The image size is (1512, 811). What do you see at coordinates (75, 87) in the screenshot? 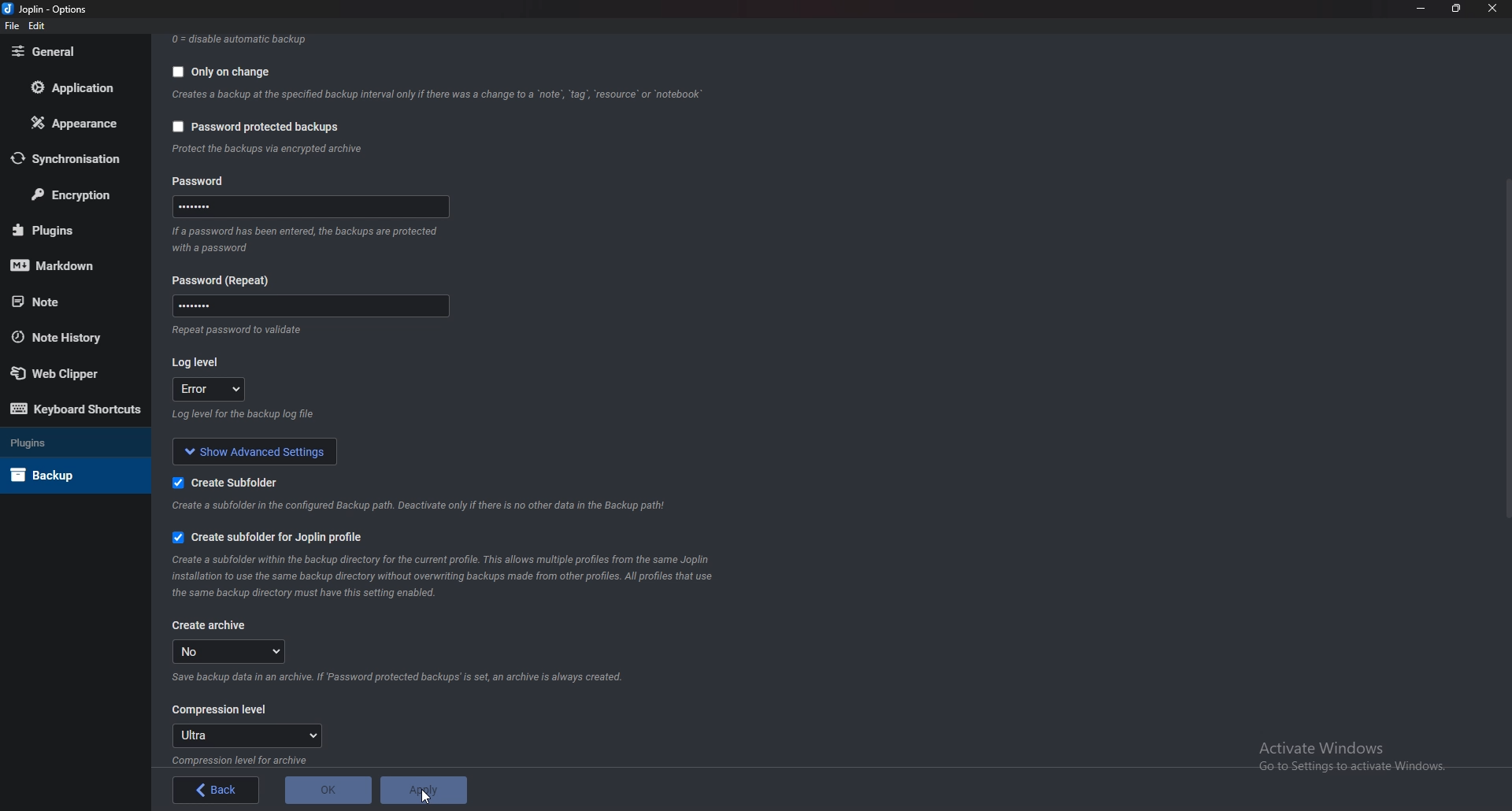
I see `Application` at bounding box center [75, 87].